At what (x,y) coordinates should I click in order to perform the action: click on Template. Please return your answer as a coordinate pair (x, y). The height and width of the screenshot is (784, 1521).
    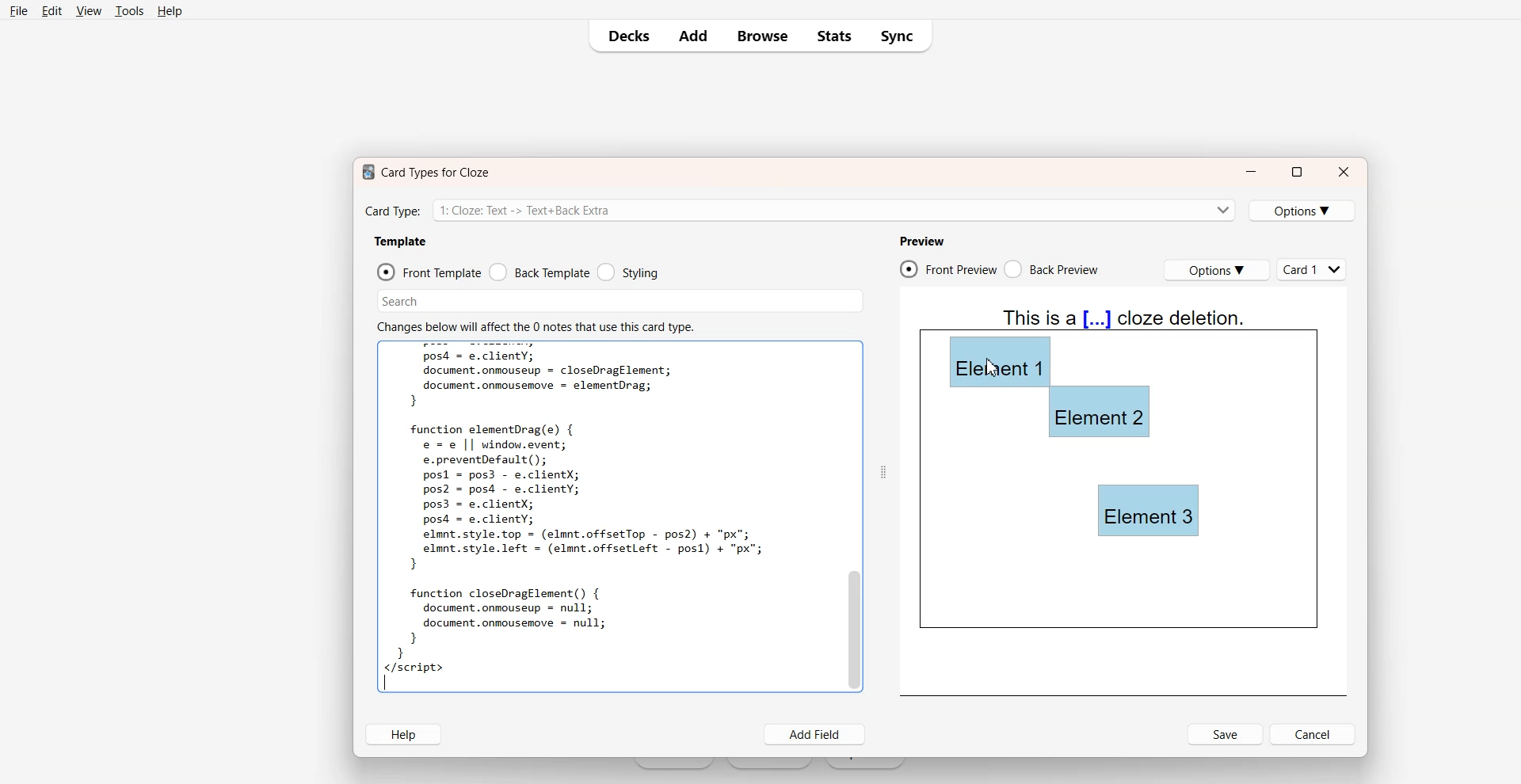
    Looking at the image, I should click on (400, 242).